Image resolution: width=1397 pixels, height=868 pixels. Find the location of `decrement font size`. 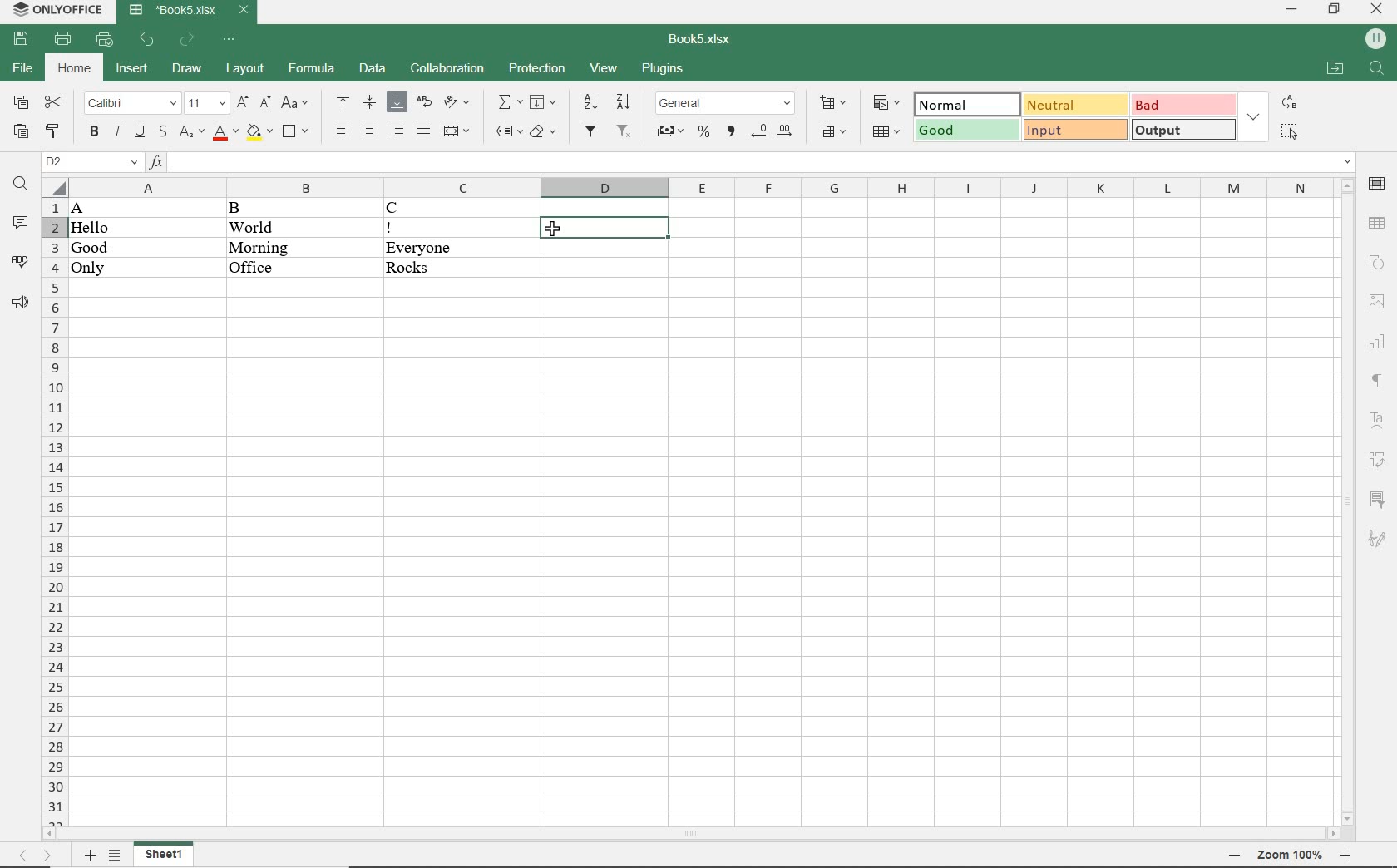

decrement font size is located at coordinates (264, 105).